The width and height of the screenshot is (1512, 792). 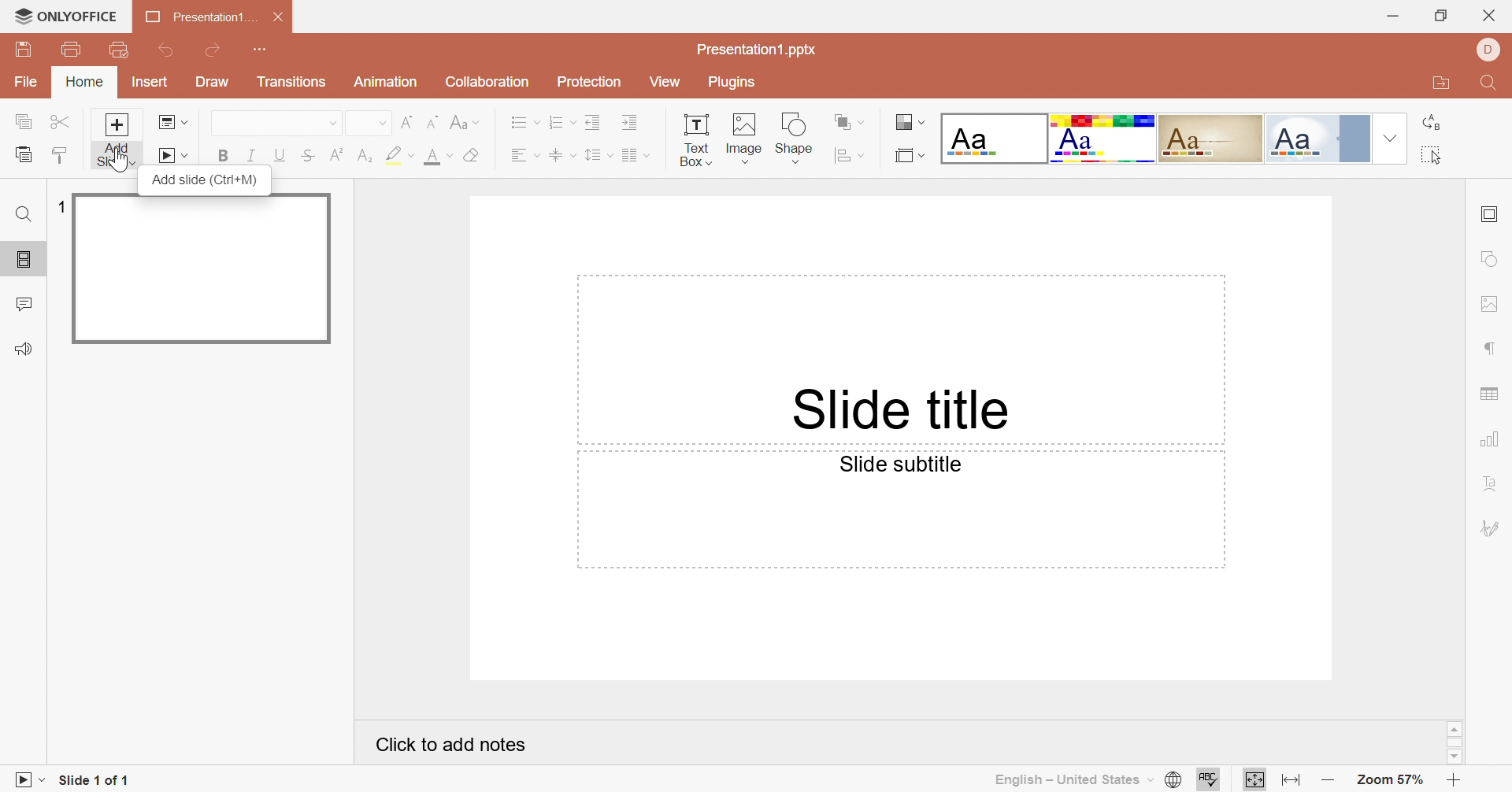 I want to click on Arrange shape, so click(x=844, y=120).